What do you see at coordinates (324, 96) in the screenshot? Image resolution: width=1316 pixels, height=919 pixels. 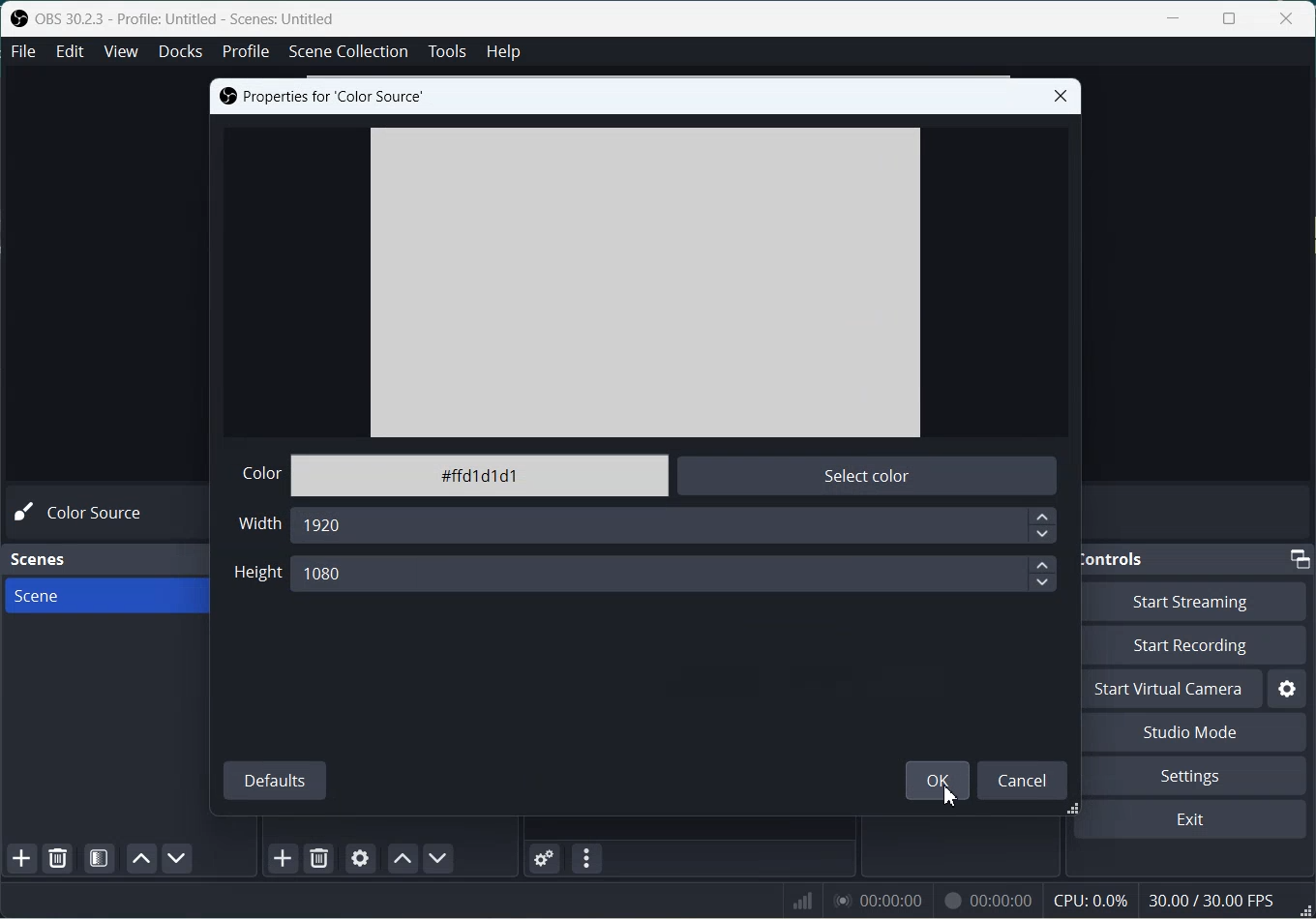 I see `Properties for 'Color Source'` at bounding box center [324, 96].